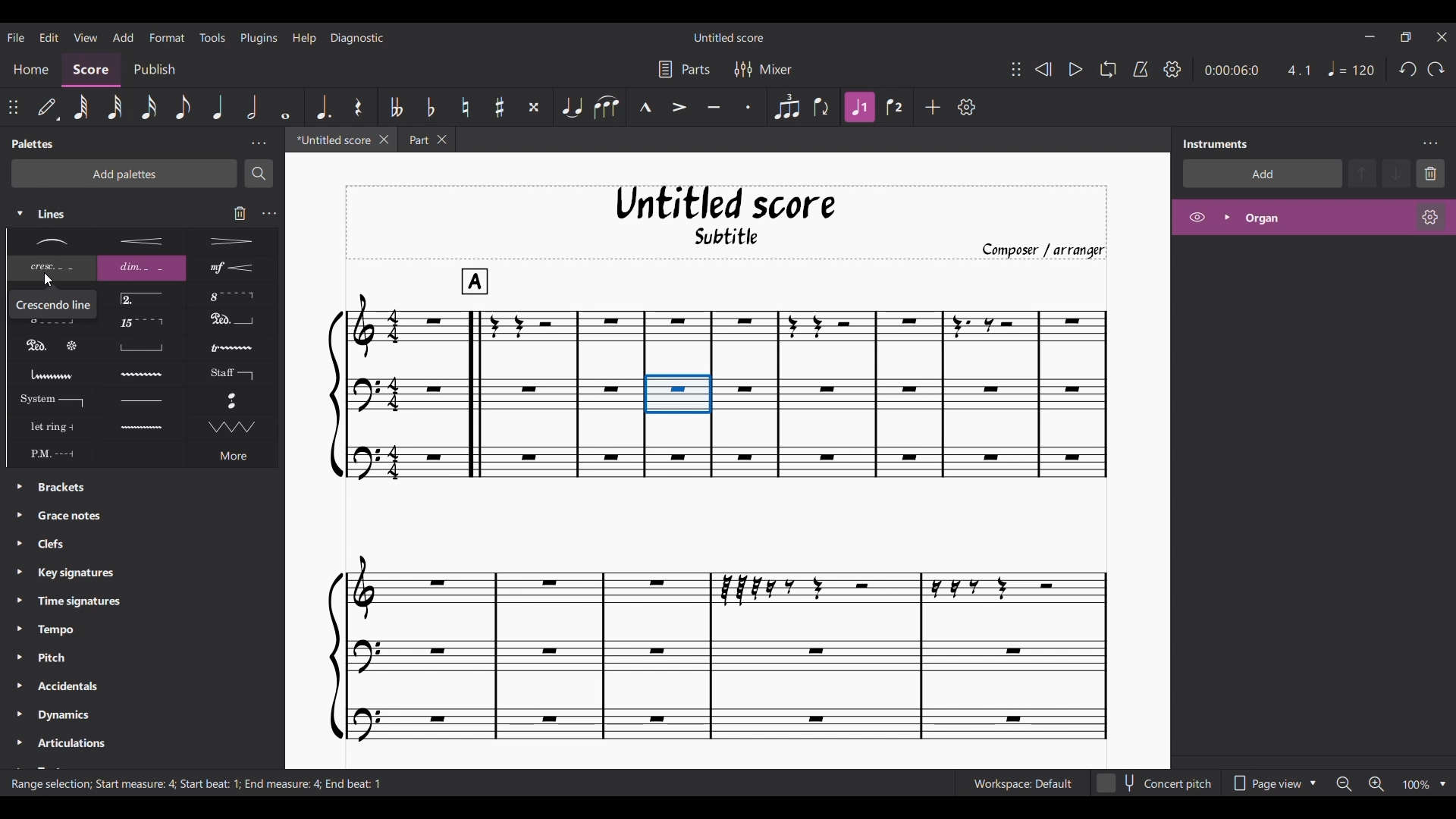  What do you see at coordinates (357, 38) in the screenshot?
I see `Diagnostic menu` at bounding box center [357, 38].